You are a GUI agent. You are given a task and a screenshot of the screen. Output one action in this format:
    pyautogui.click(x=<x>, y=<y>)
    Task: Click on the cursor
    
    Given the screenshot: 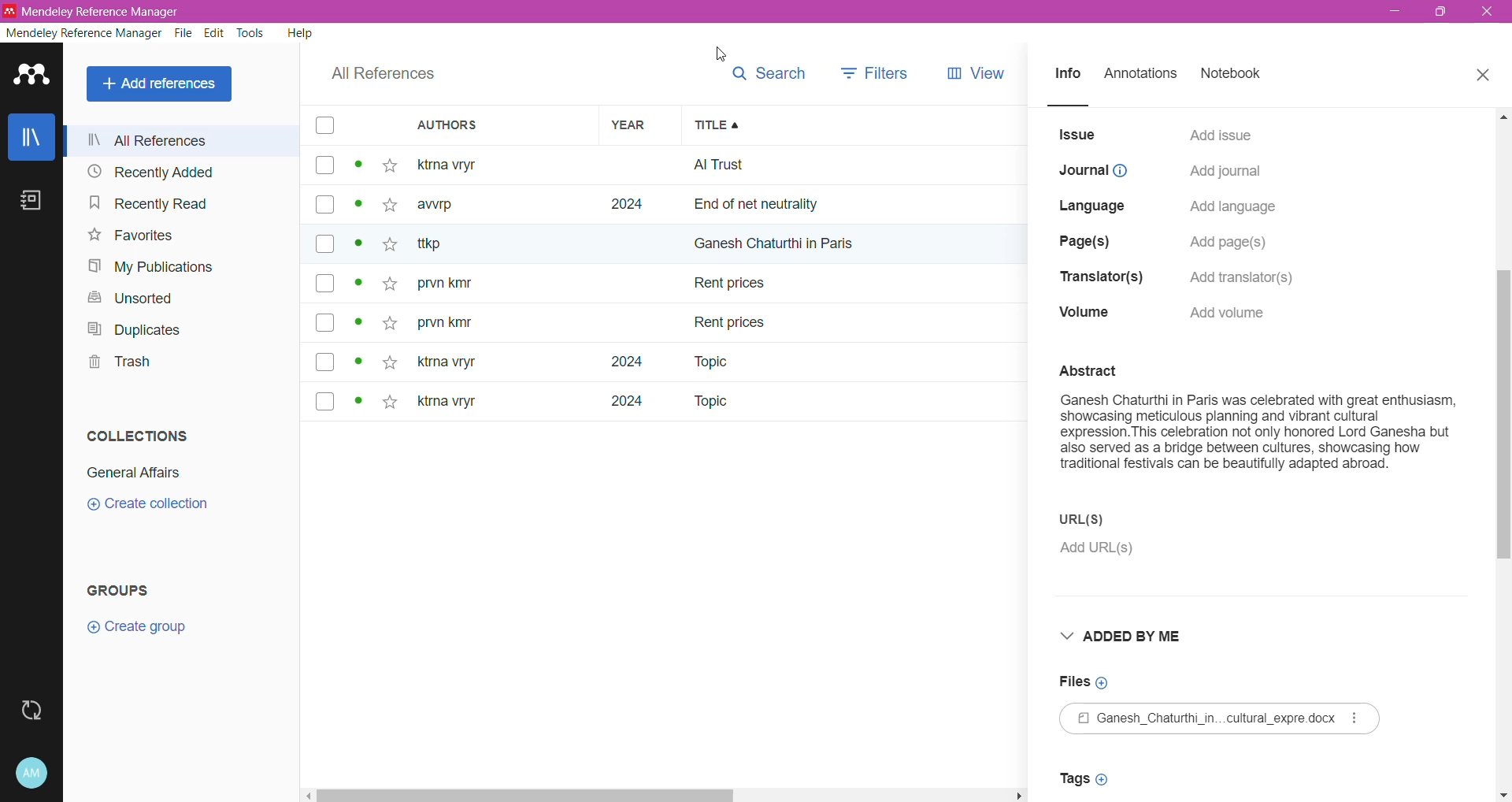 What is the action you would take?
    pyautogui.click(x=717, y=54)
    